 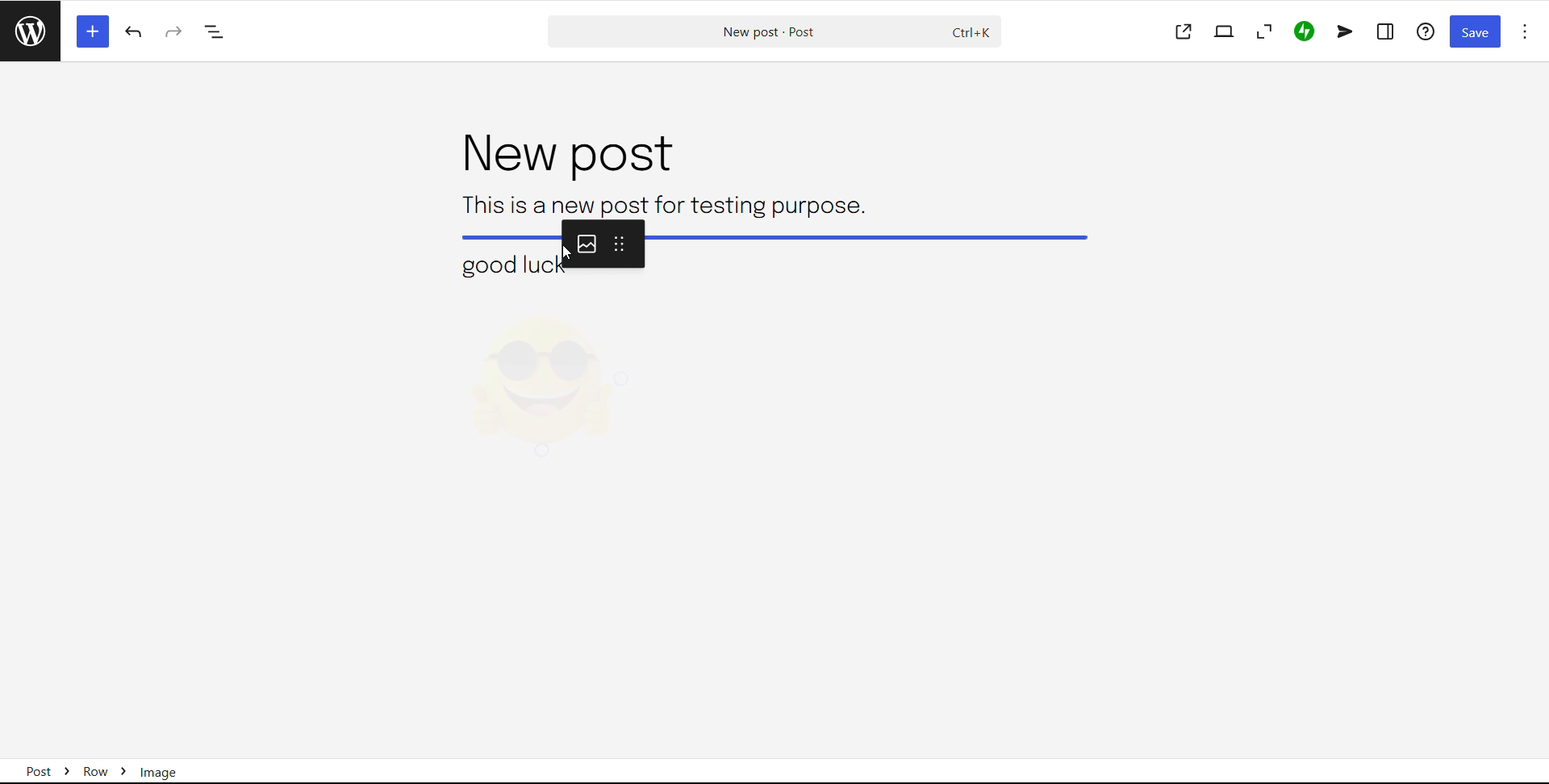 What do you see at coordinates (215, 33) in the screenshot?
I see `document overview` at bounding box center [215, 33].